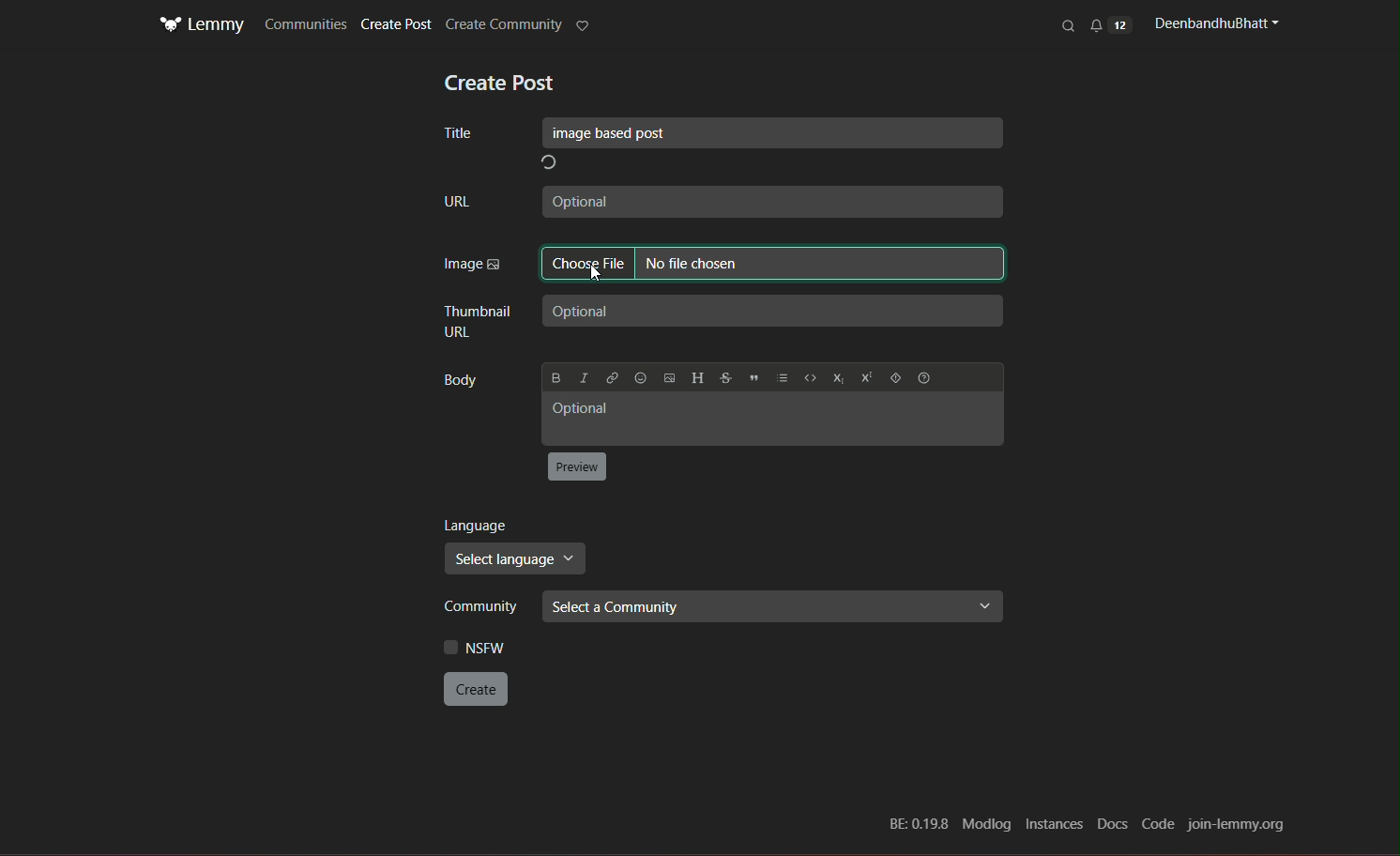 The height and width of the screenshot is (856, 1400). What do you see at coordinates (464, 378) in the screenshot?
I see `Body` at bounding box center [464, 378].